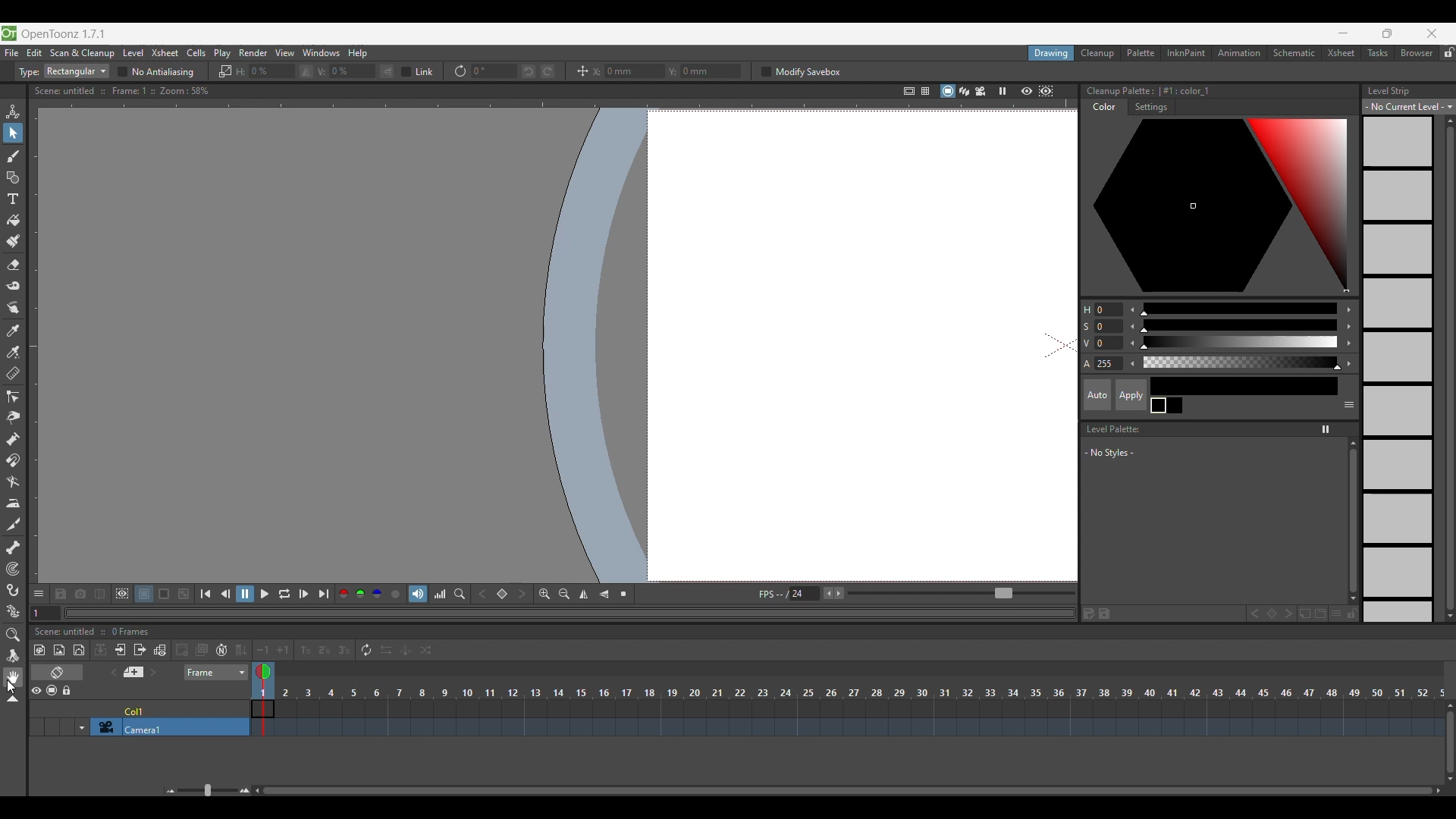  Describe the element at coordinates (14, 678) in the screenshot. I see `Hand tool` at that location.